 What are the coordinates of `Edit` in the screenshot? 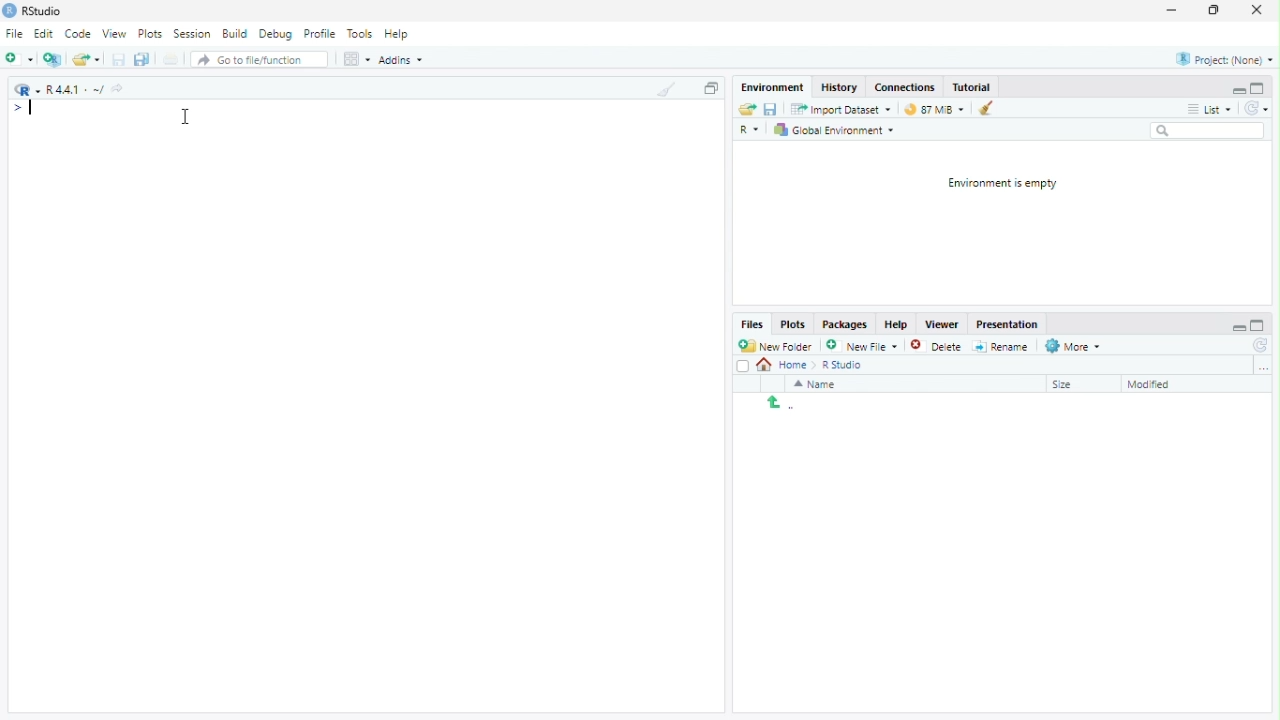 It's located at (44, 34).